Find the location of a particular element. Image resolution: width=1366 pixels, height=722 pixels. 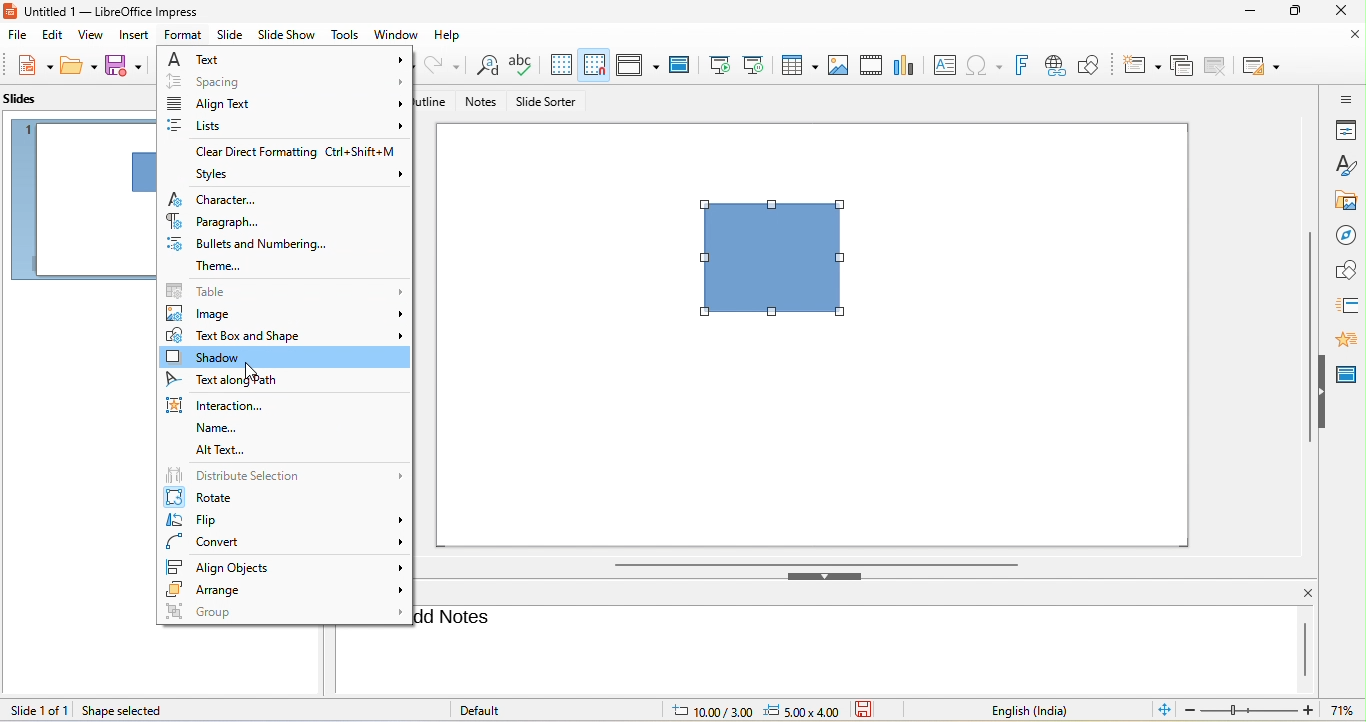

slide show is located at coordinates (287, 35).